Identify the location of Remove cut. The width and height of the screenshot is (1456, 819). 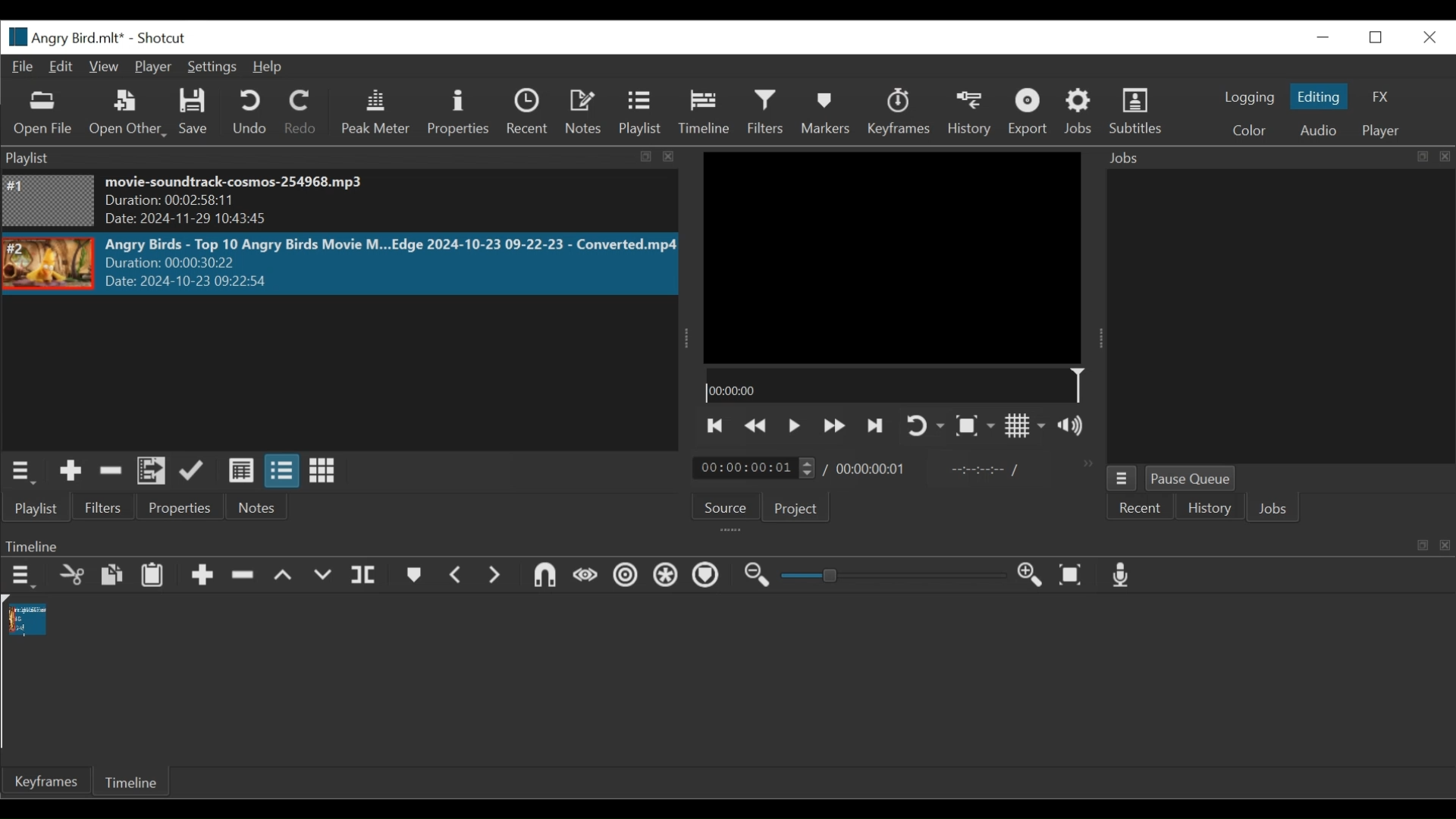
(111, 472).